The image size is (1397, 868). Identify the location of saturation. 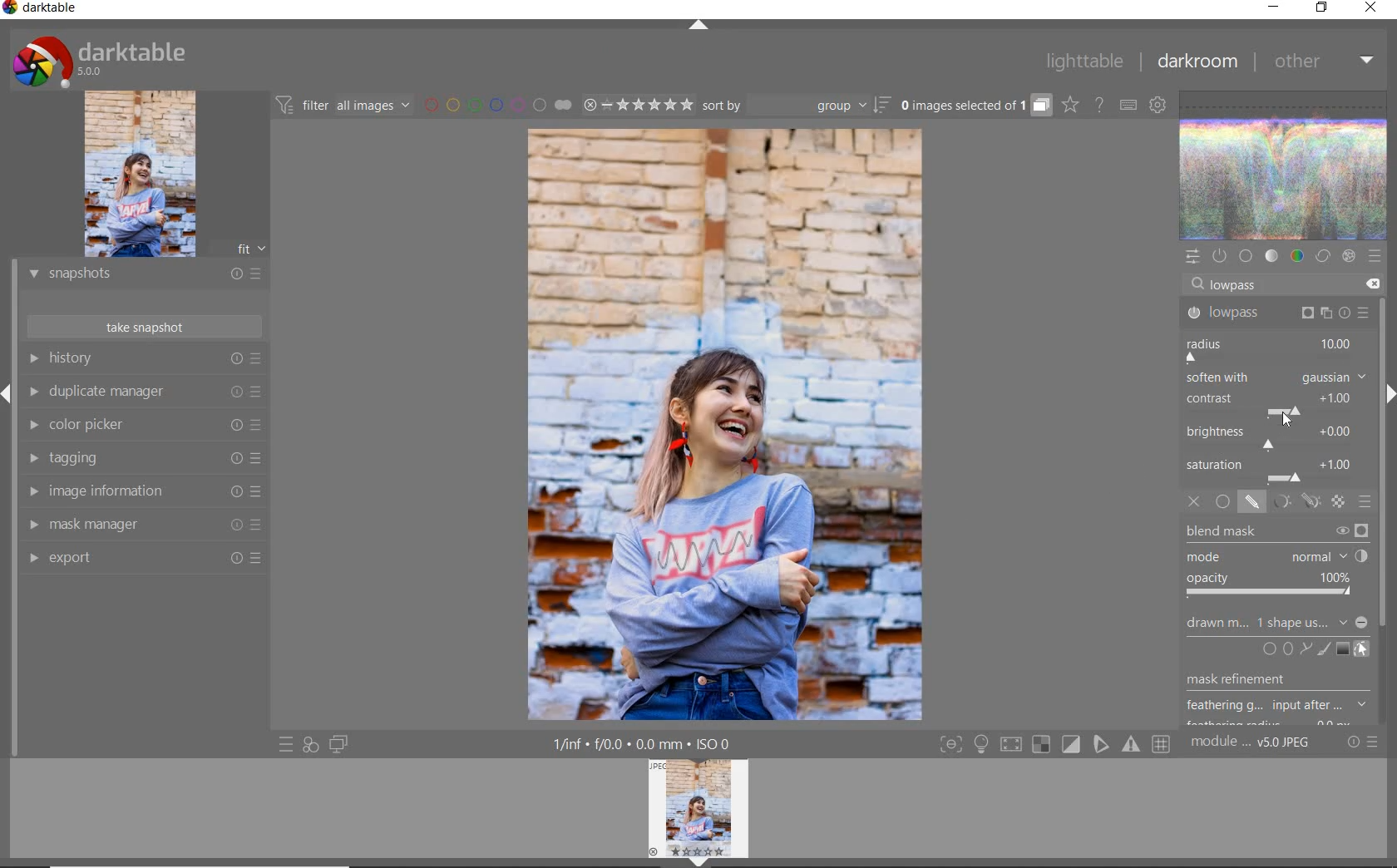
(1275, 470).